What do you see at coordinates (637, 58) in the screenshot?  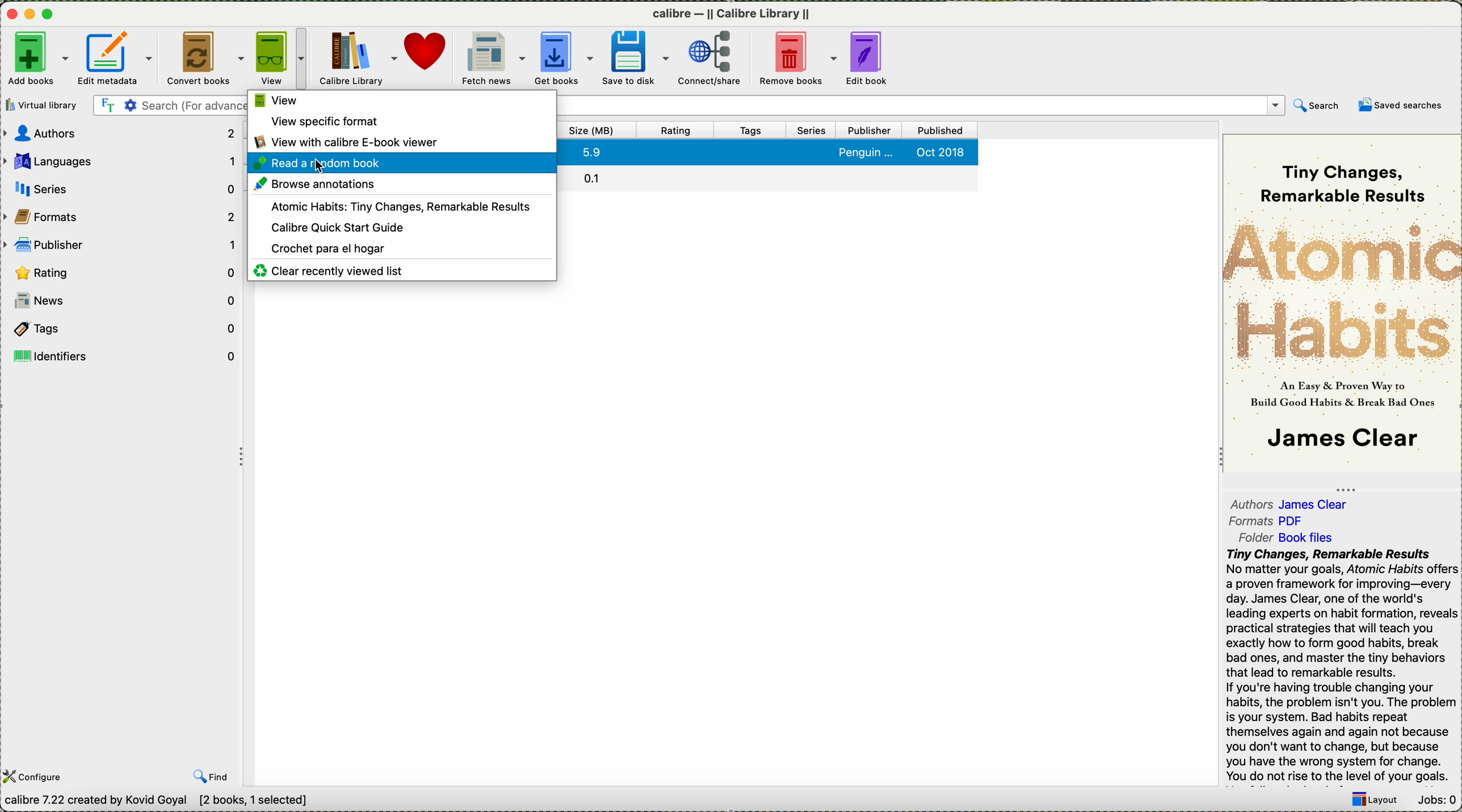 I see `save to disk` at bounding box center [637, 58].